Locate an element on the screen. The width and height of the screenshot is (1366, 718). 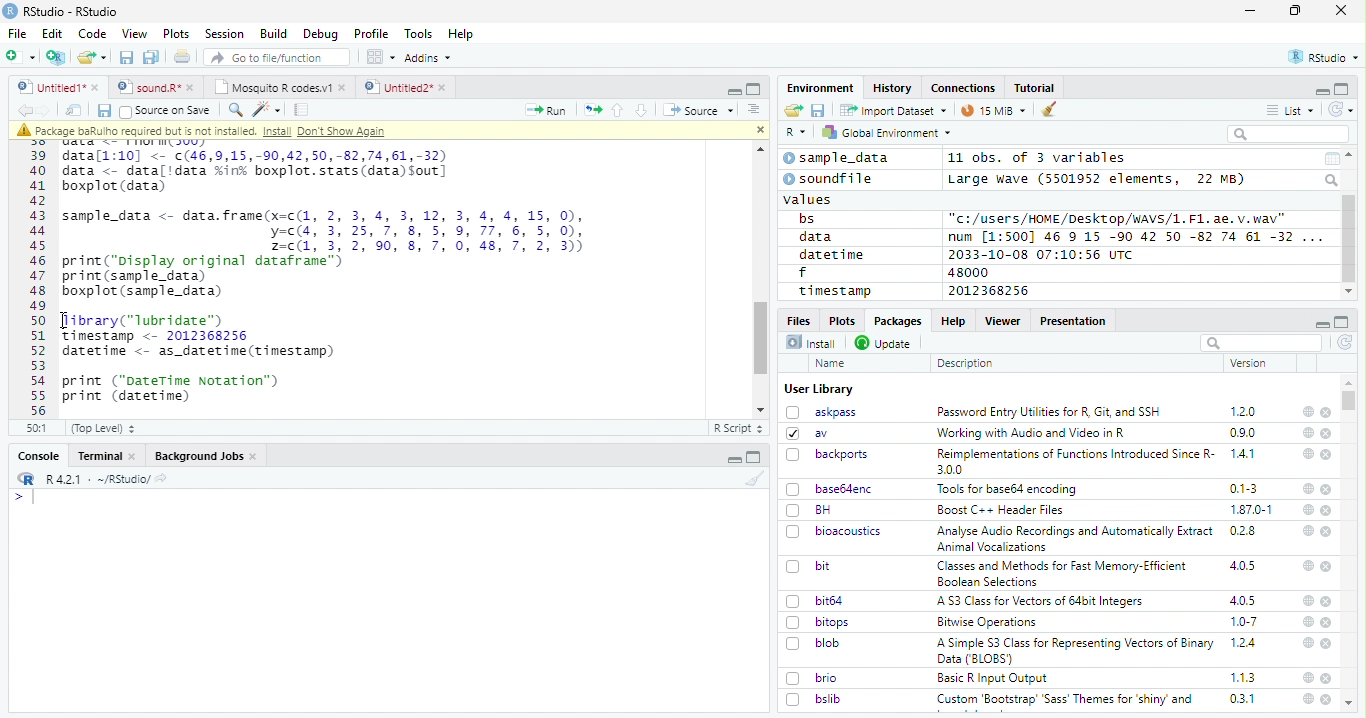
15 MiB is located at coordinates (994, 110).